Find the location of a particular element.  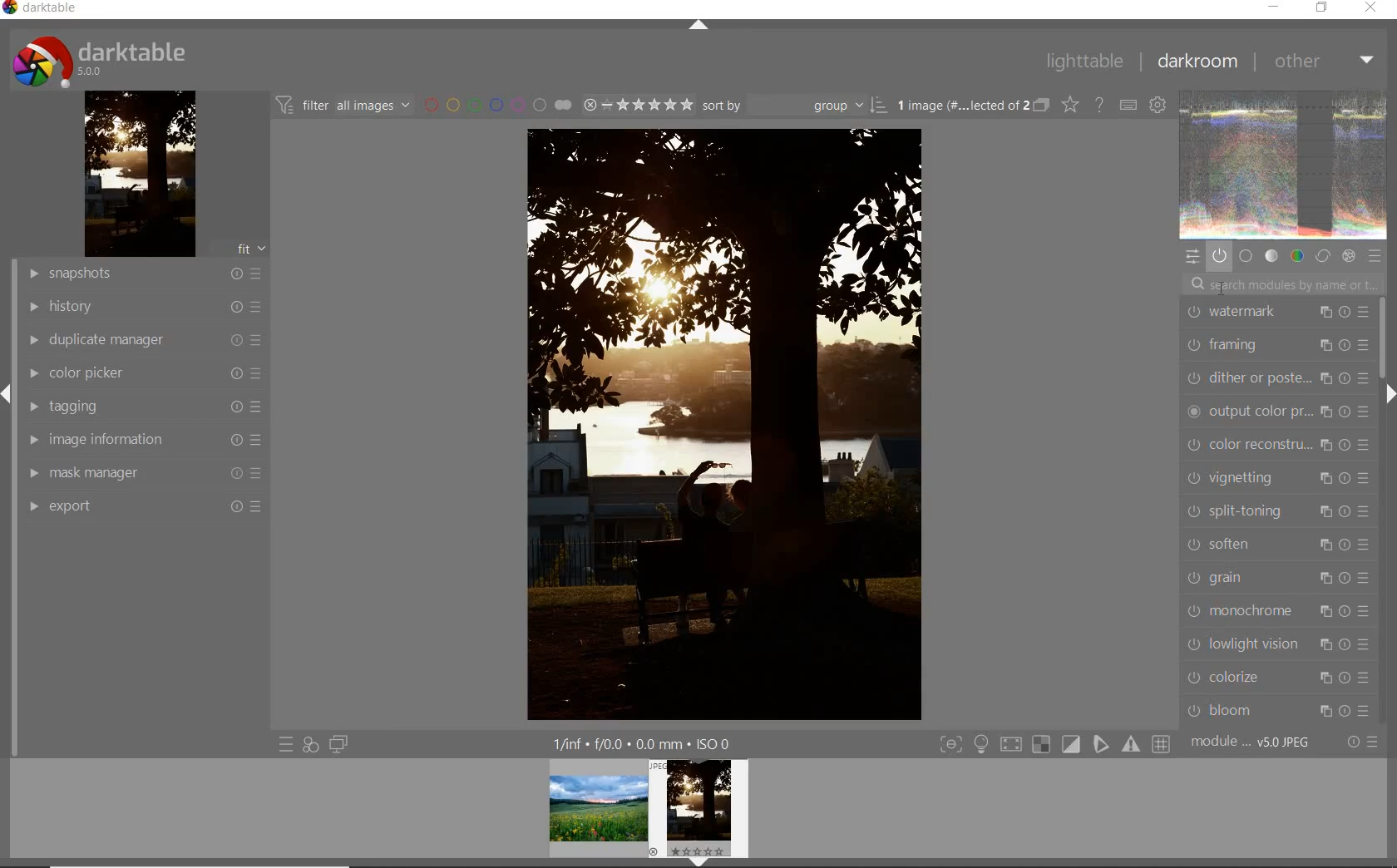

close is located at coordinates (1371, 8).